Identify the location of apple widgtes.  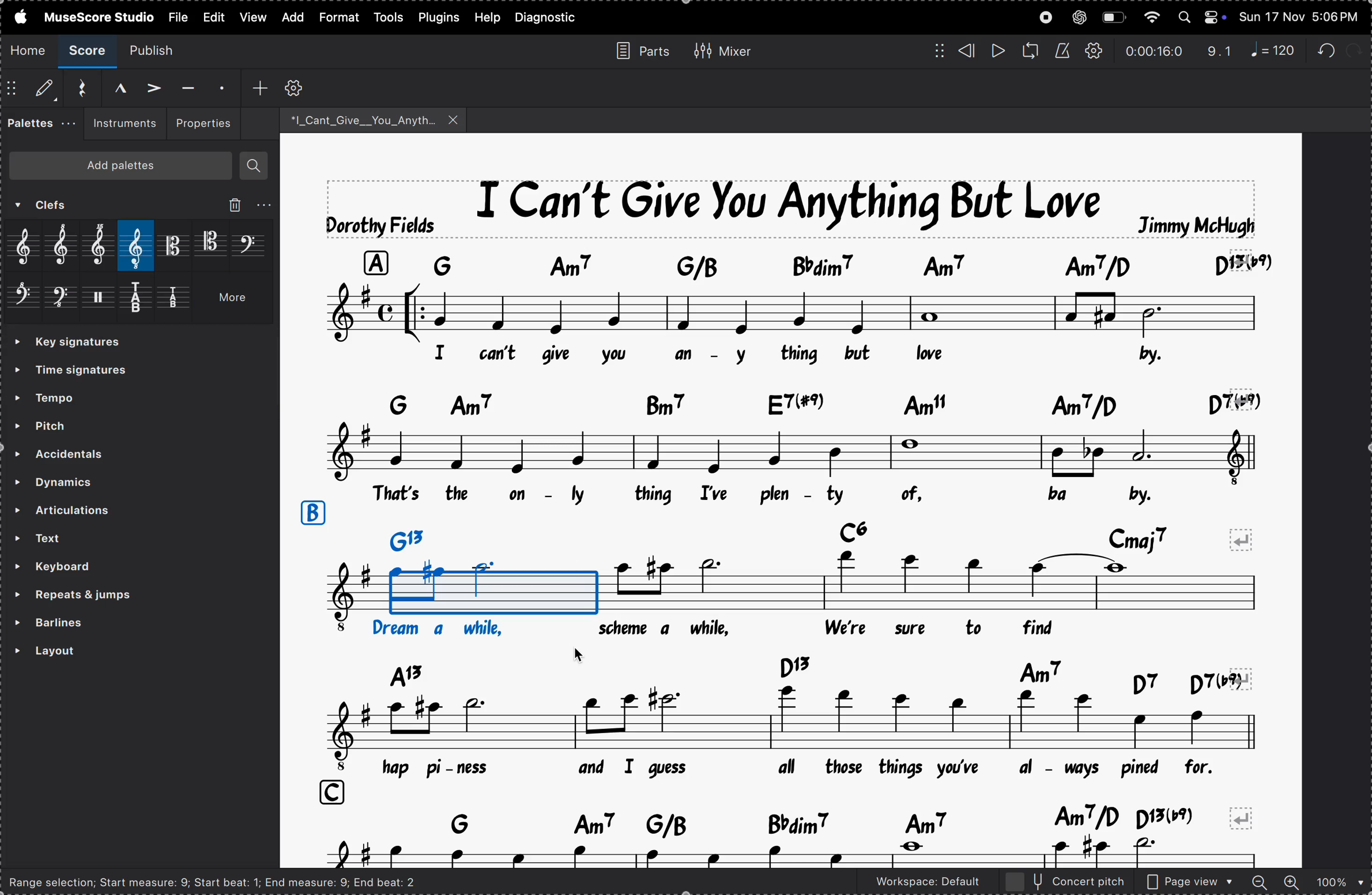
(1203, 17).